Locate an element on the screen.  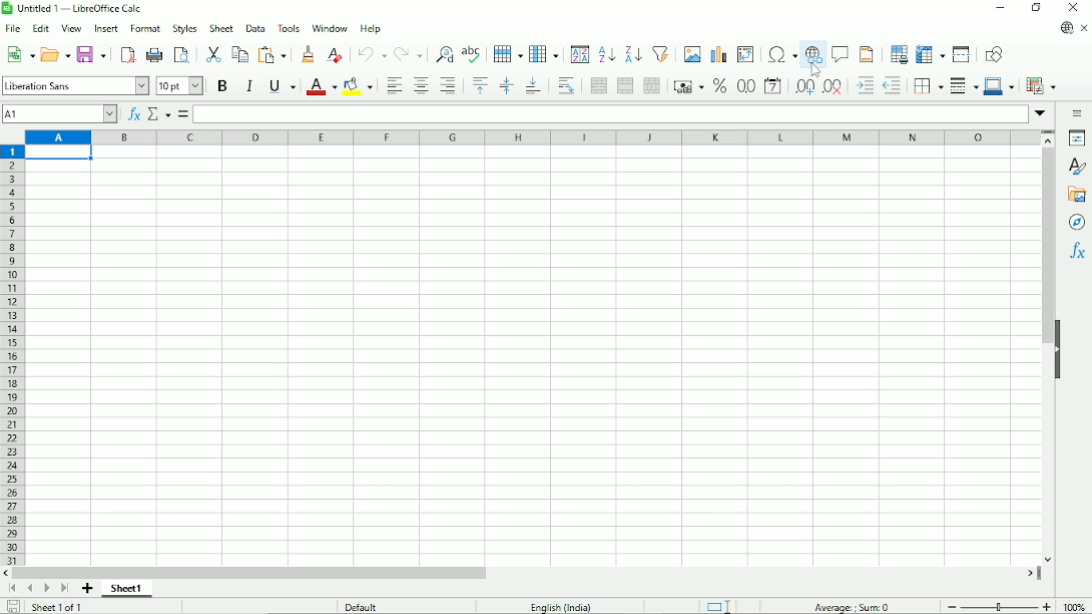
Align center is located at coordinates (421, 86).